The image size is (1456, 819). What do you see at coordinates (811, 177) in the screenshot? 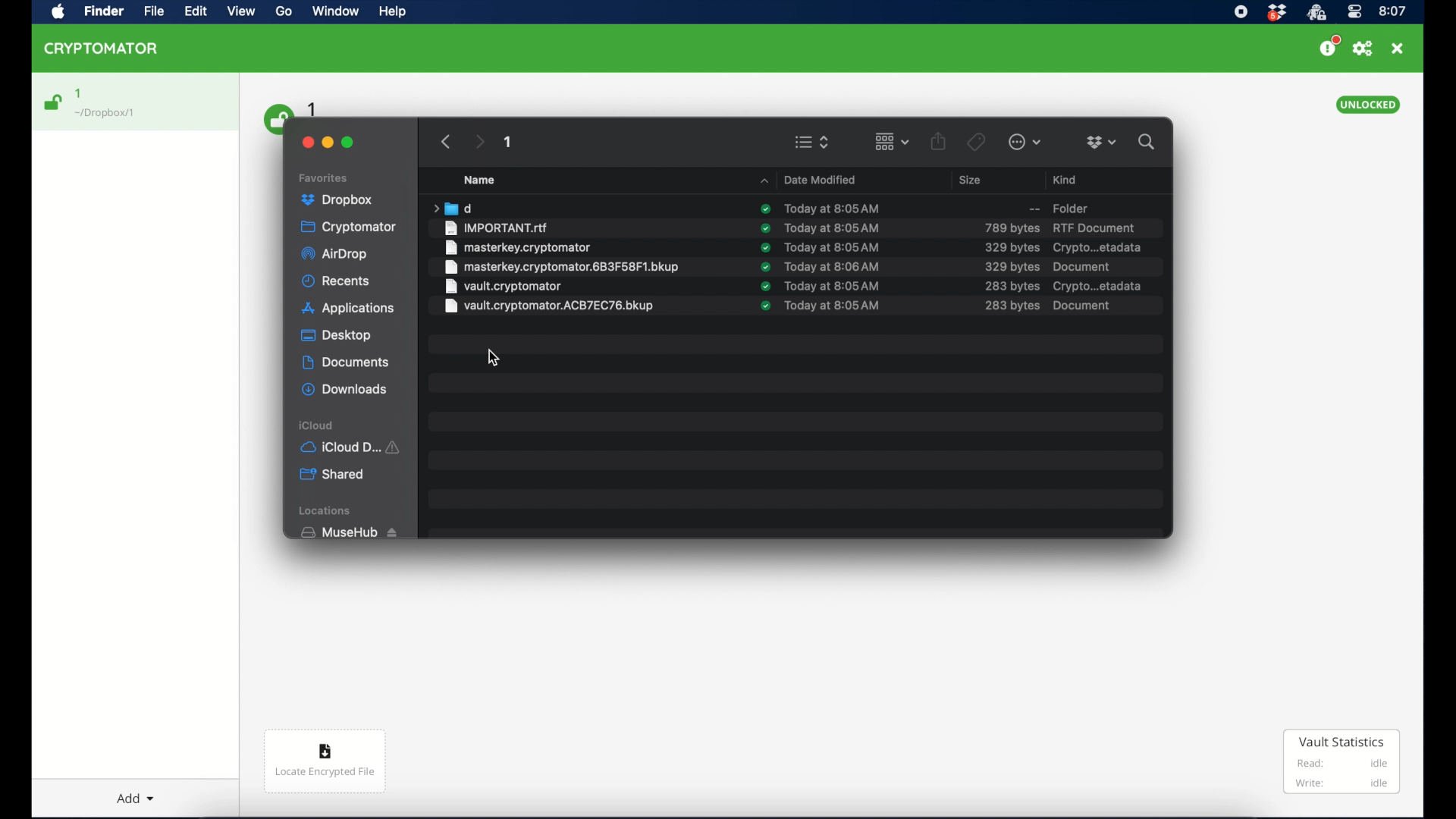
I see `Date Modifies` at bounding box center [811, 177].